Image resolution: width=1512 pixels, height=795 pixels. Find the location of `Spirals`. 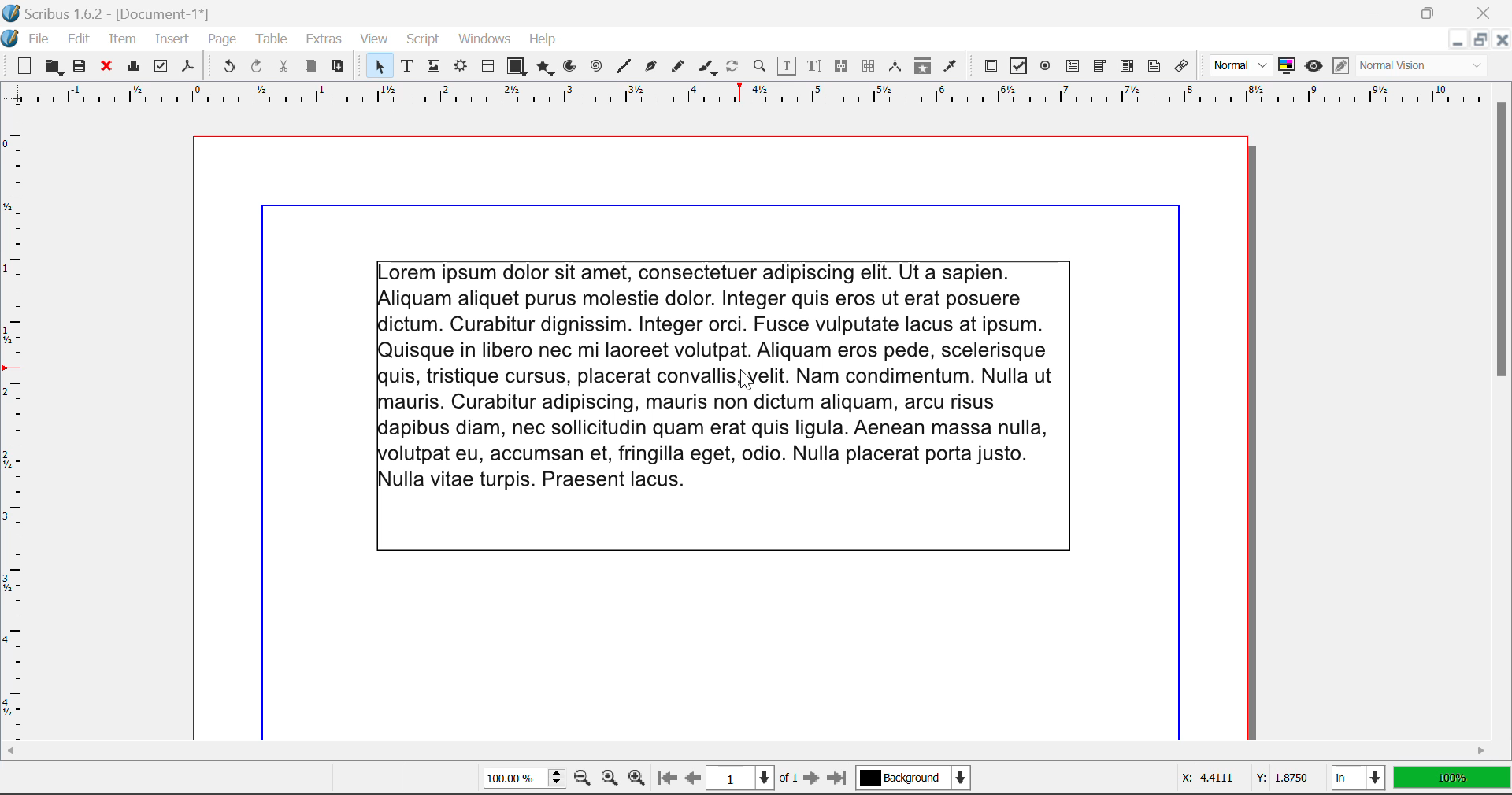

Spirals is located at coordinates (595, 68).